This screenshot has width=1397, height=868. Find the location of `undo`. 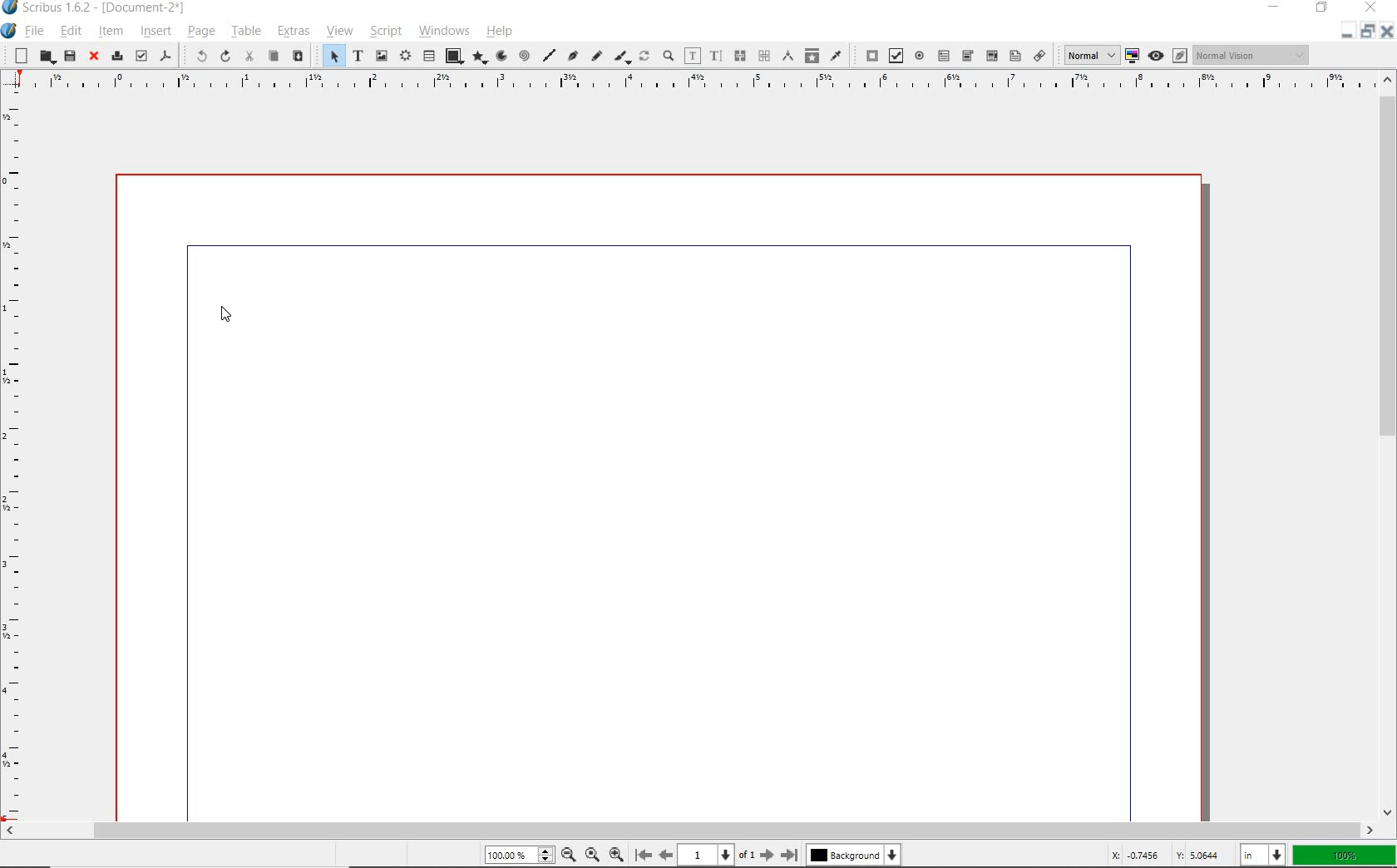

undo is located at coordinates (196, 57).